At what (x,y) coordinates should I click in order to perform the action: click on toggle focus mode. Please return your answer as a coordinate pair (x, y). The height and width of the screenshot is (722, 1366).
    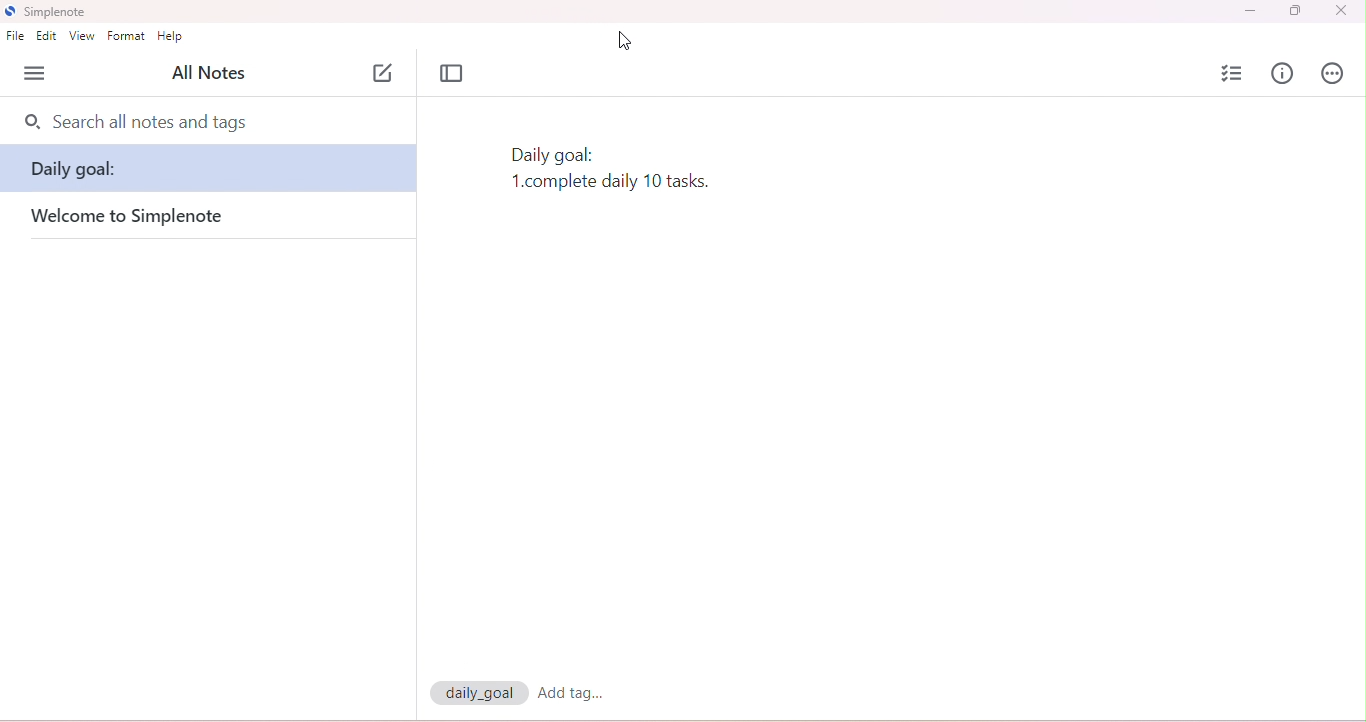
    Looking at the image, I should click on (454, 74).